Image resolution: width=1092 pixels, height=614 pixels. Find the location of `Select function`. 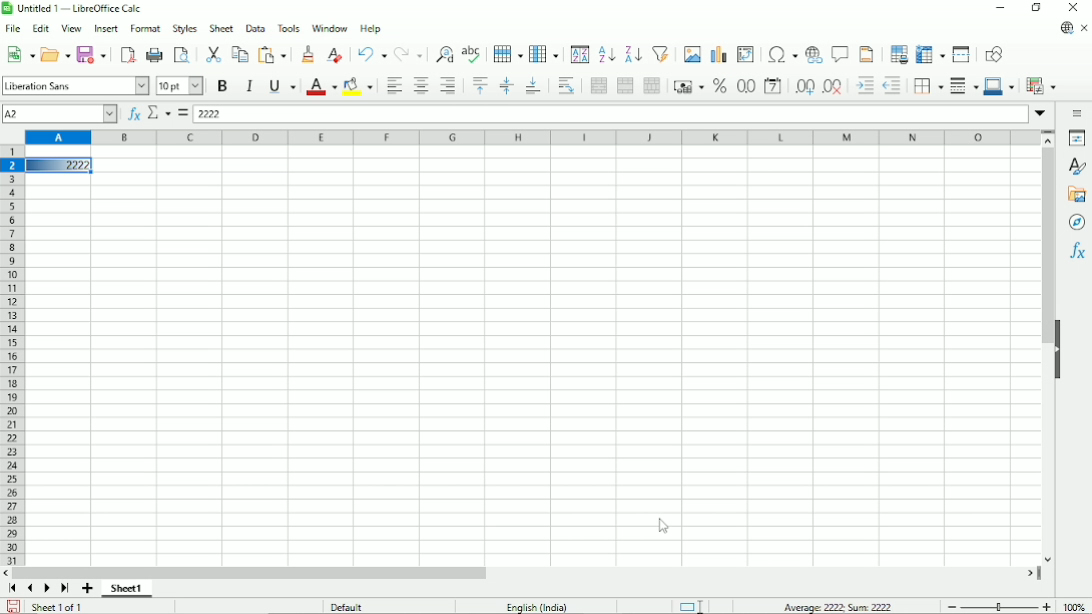

Select function is located at coordinates (159, 112).